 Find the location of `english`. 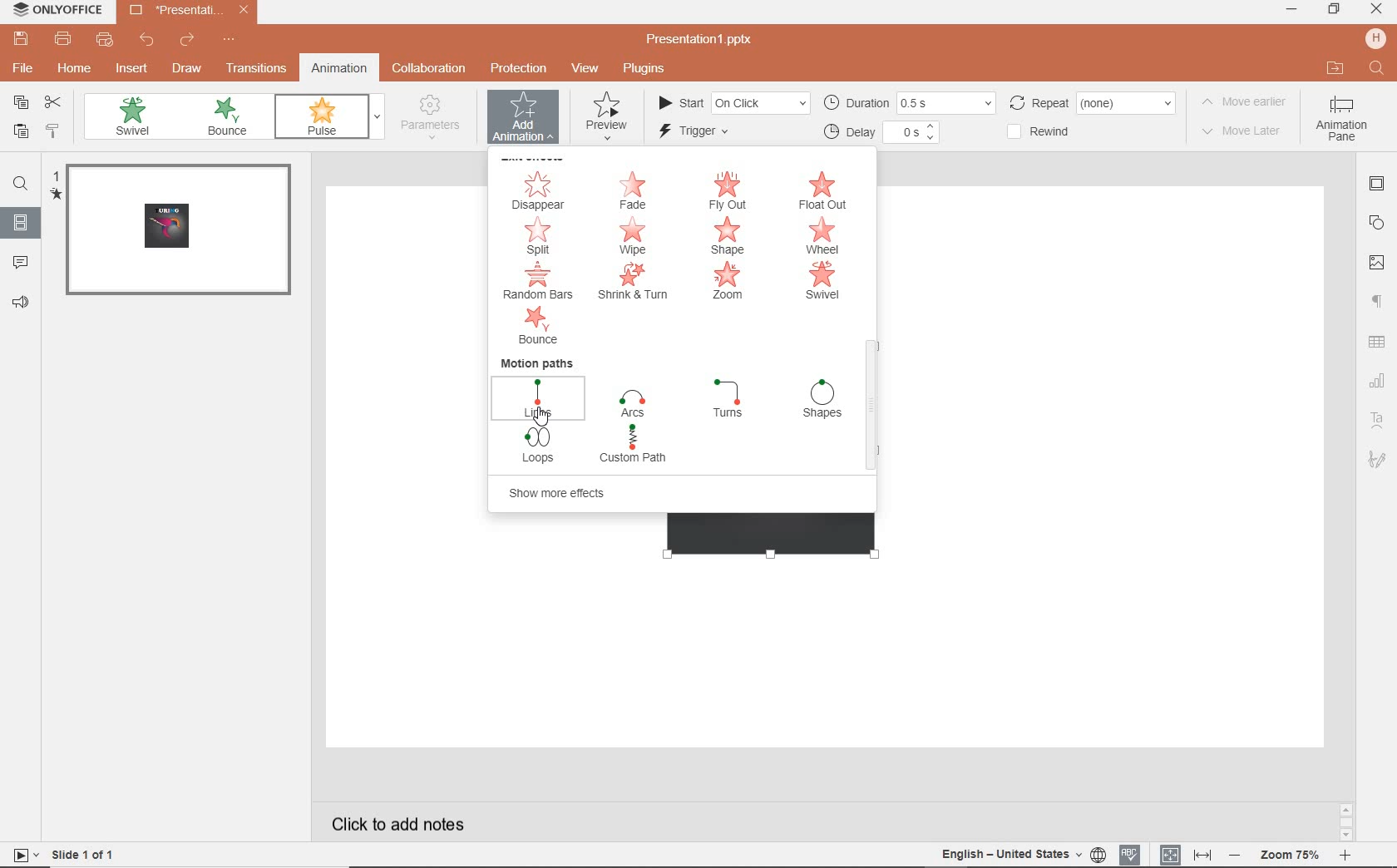

english is located at coordinates (998, 852).